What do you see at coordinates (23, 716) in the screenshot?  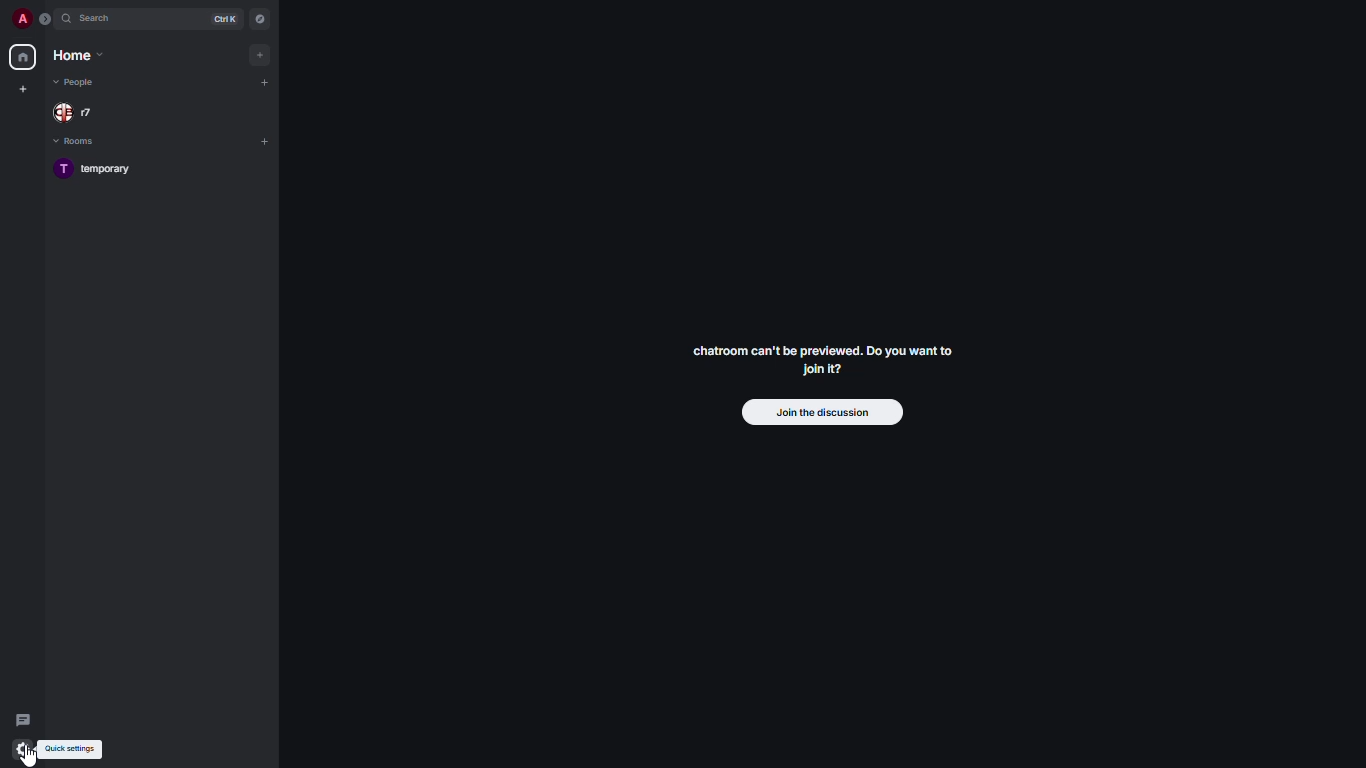 I see `threads` at bounding box center [23, 716].